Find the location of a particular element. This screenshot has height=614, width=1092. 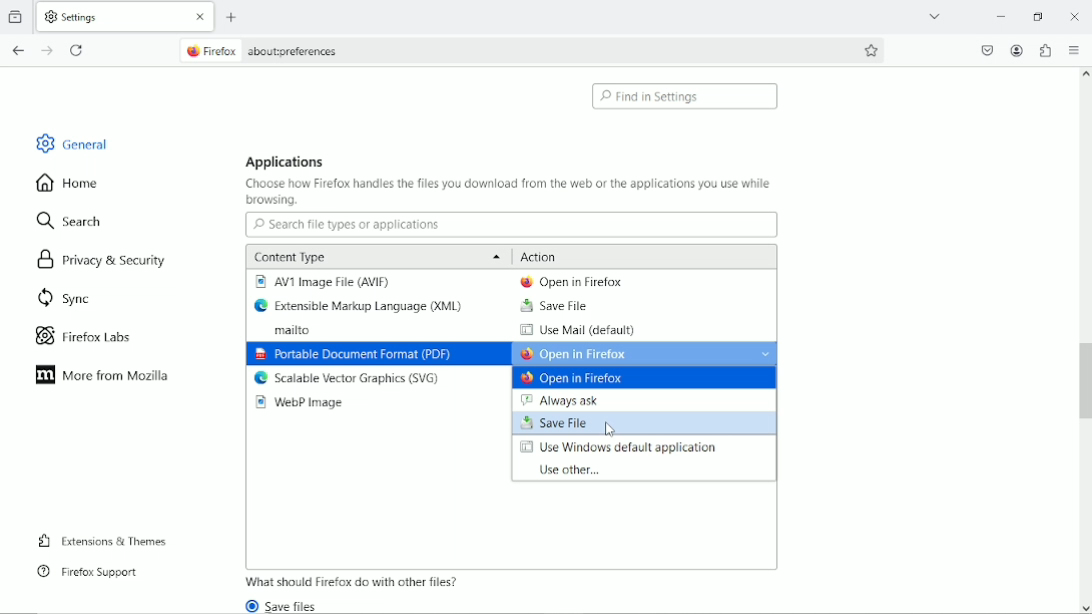

Use windows default application is located at coordinates (620, 448).